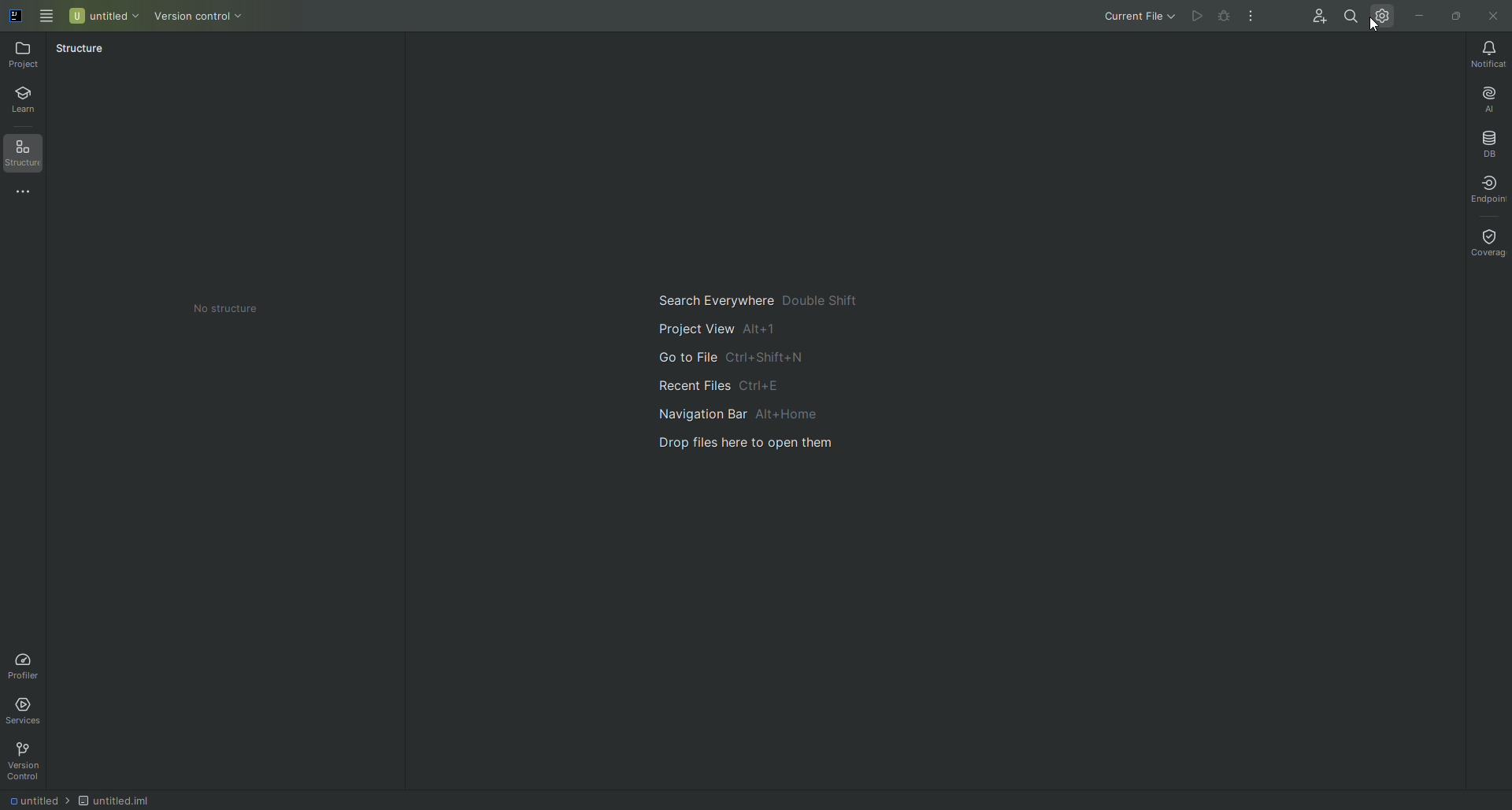 Image resolution: width=1512 pixels, height=810 pixels. I want to click on Search Everywhere, so click(758, 298).